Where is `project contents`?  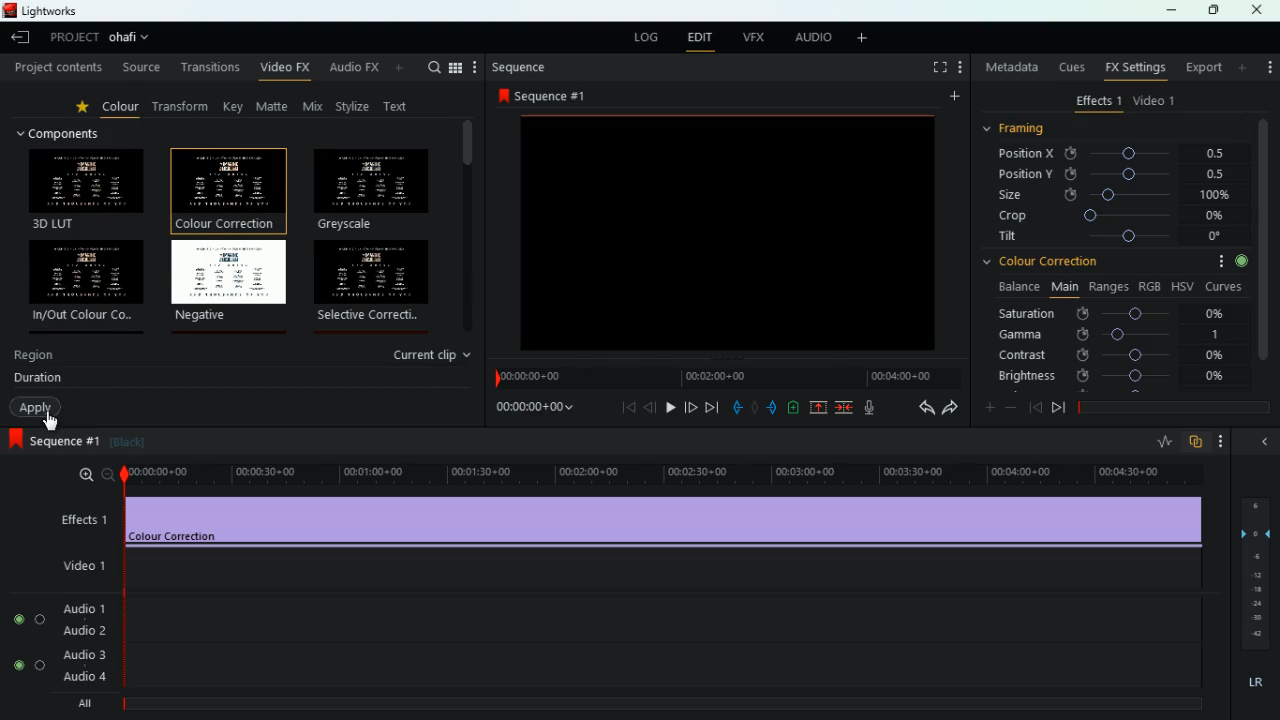
project contents is located at coordinates (57, 68).